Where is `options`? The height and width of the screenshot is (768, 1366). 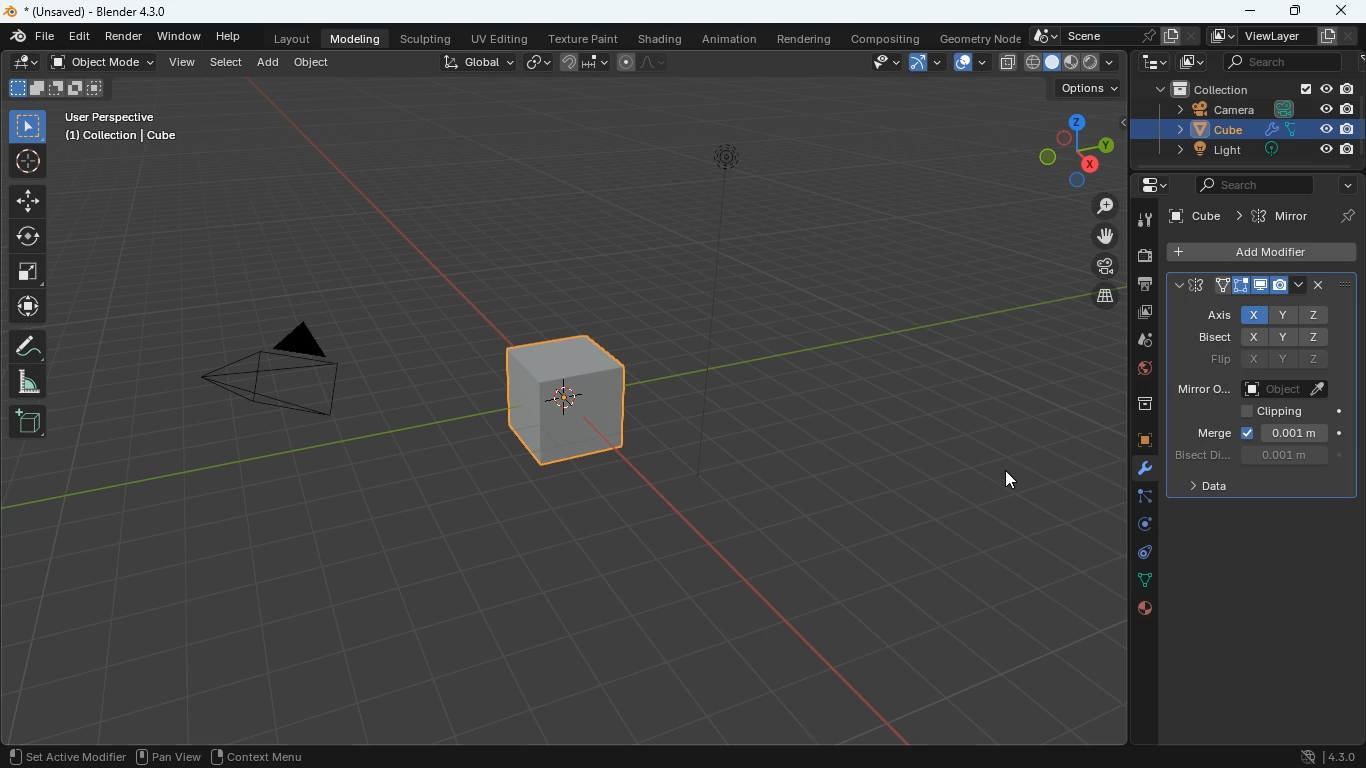 options is located at coordinates (1085, 91).